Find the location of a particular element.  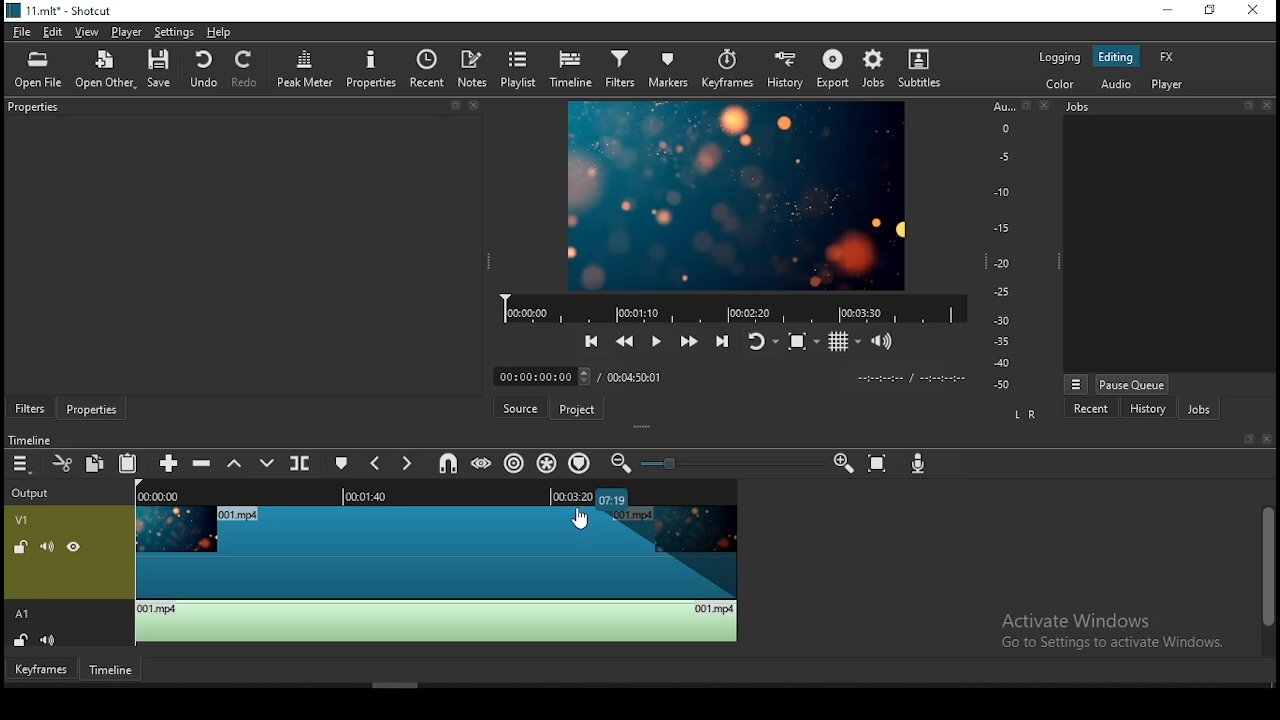

ripple markers is located at coordinates (579, 464).